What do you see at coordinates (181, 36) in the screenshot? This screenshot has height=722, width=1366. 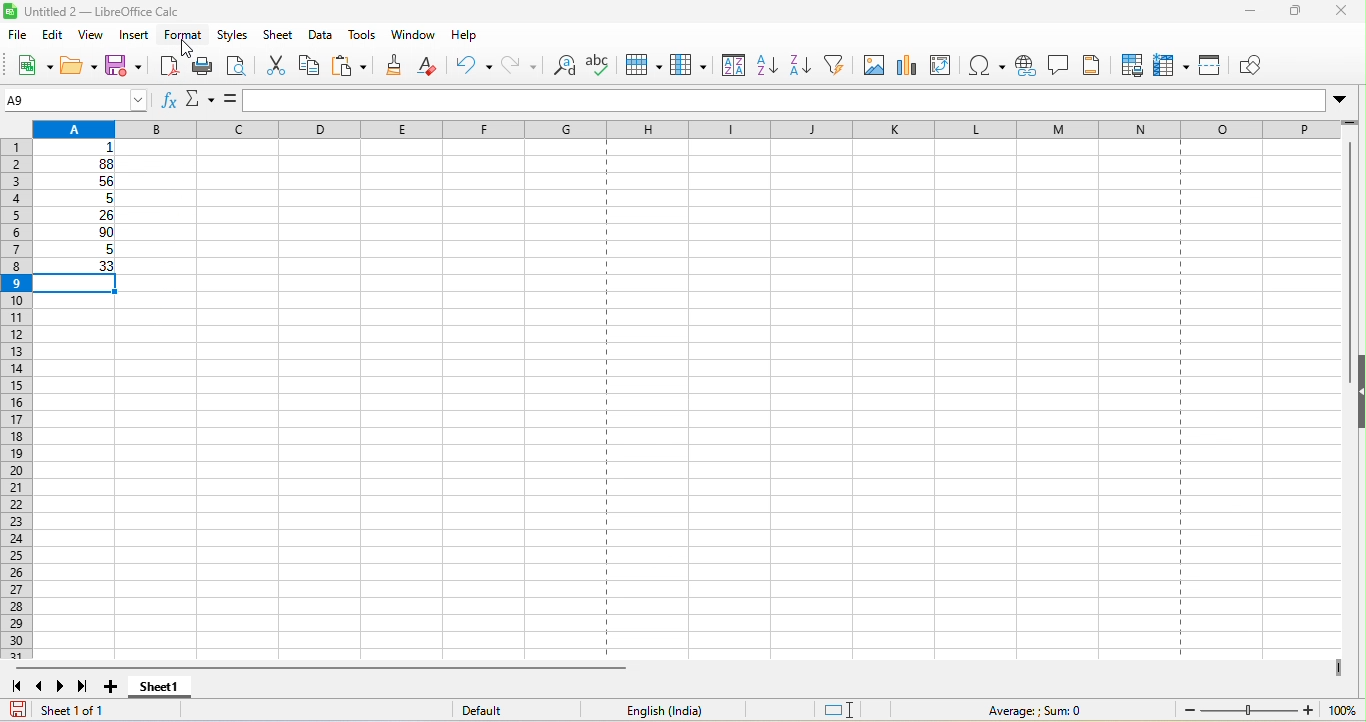 I see `format` at bounding box center [181, 36].